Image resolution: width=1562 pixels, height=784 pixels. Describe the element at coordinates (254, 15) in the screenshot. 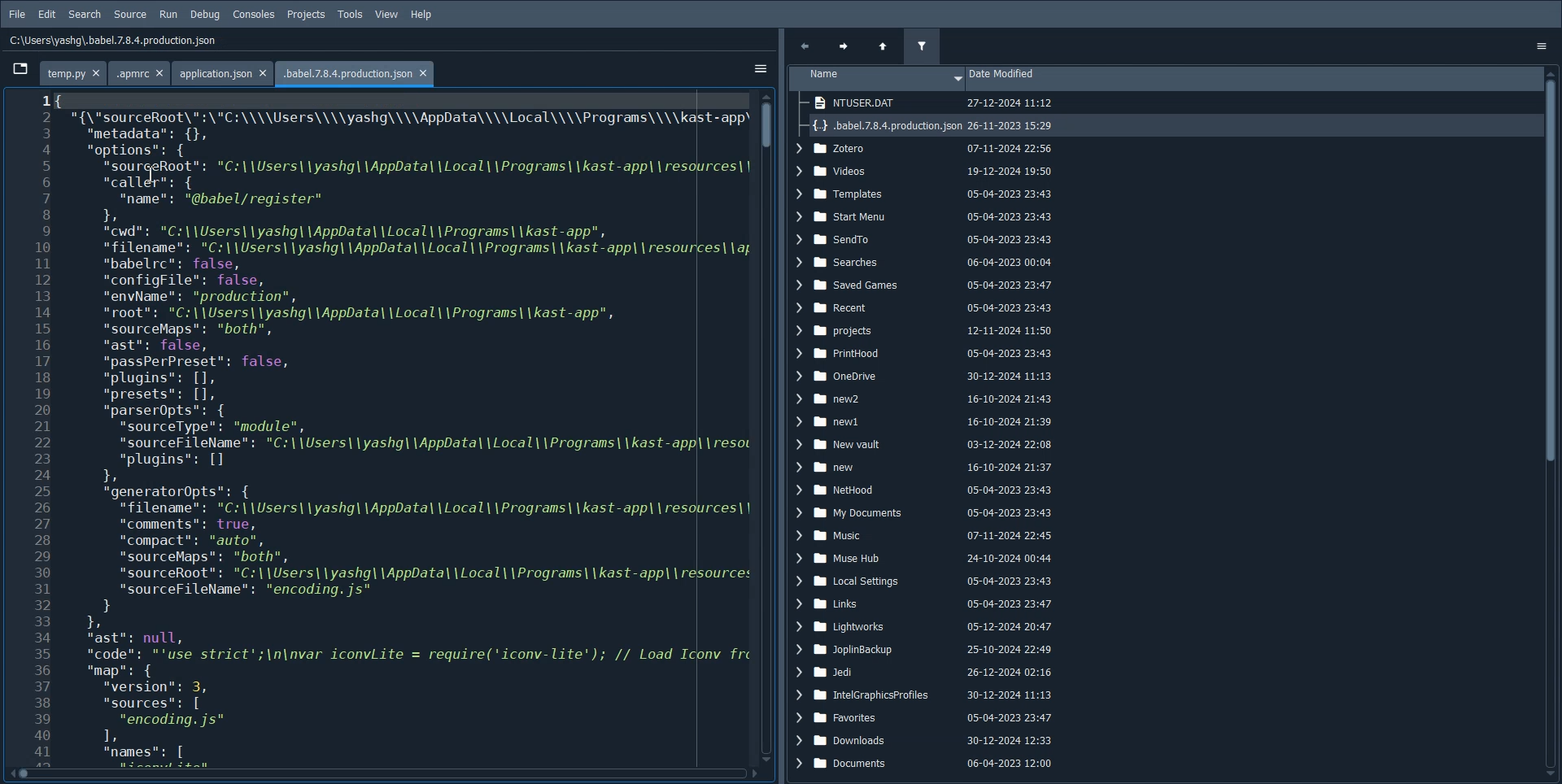

I see `Consoles` at that location.